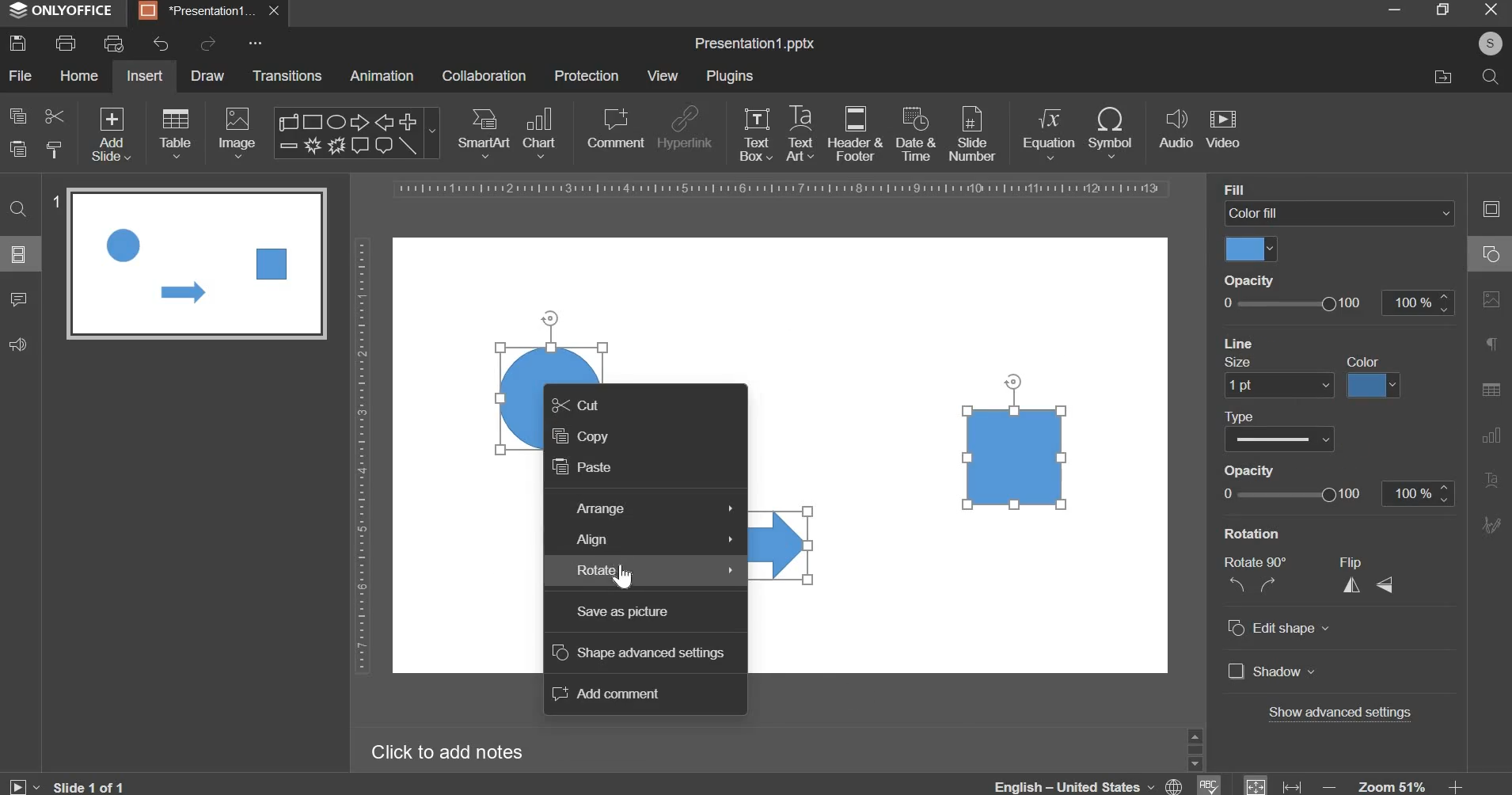 The width and height of the screenshot is (1512, 795). What do you see at coordinates (1393, 785) in the screenshot?
I see `zoom` at bounding box center [1393, 785].